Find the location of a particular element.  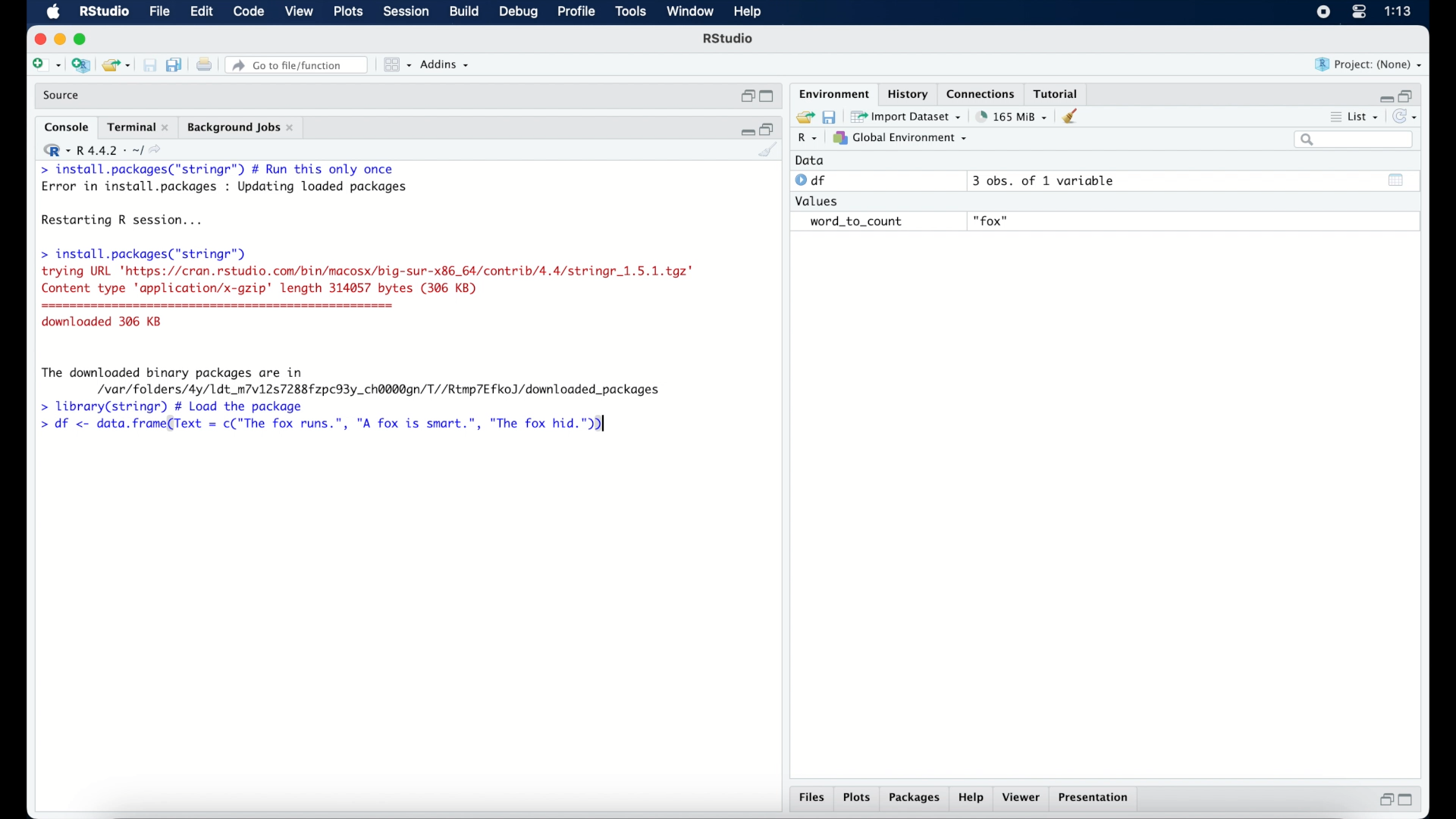

profile is located at coordinates (575, 12).